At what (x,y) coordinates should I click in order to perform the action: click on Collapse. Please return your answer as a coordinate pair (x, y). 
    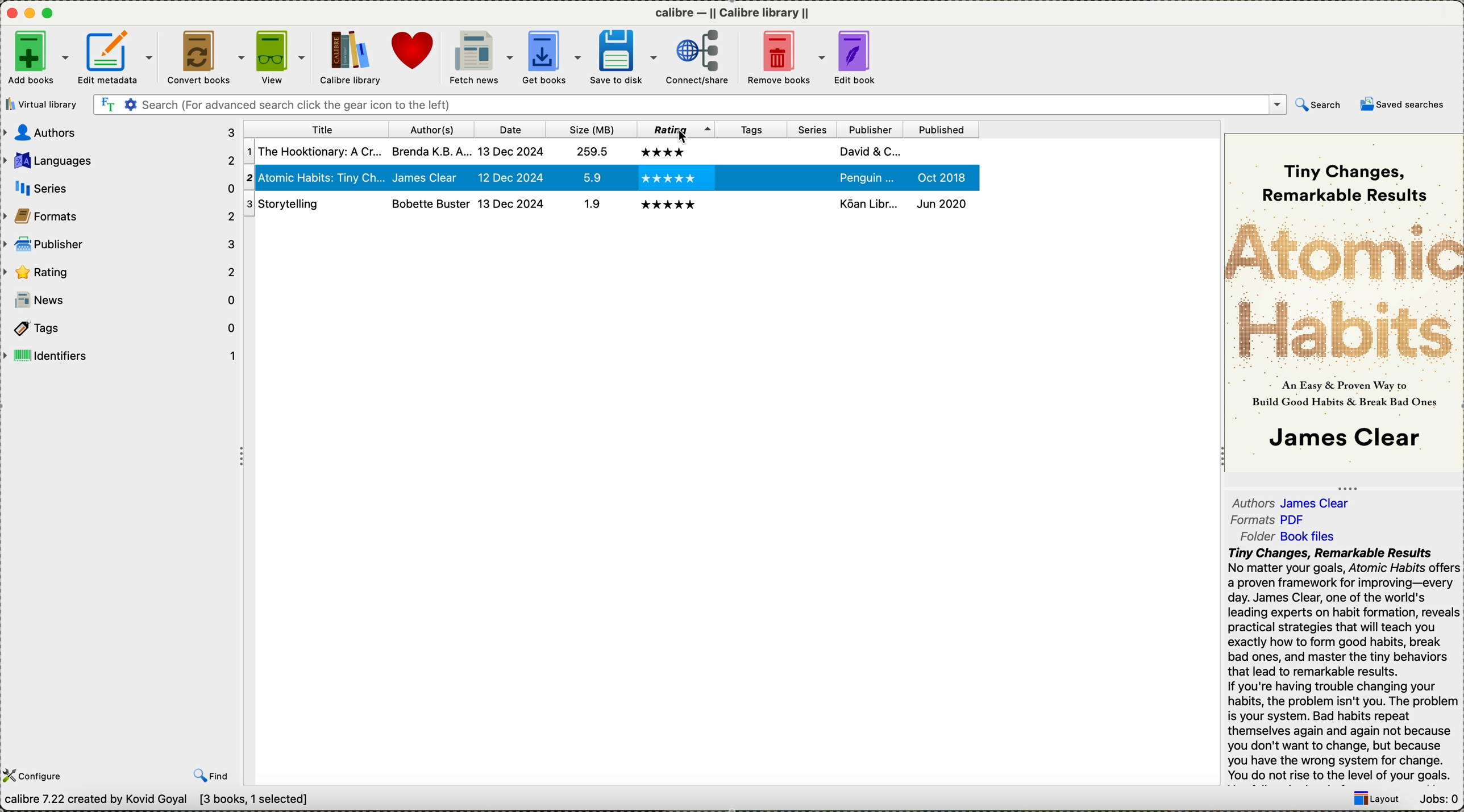
    Looking at the image, I should click on (244, 458).